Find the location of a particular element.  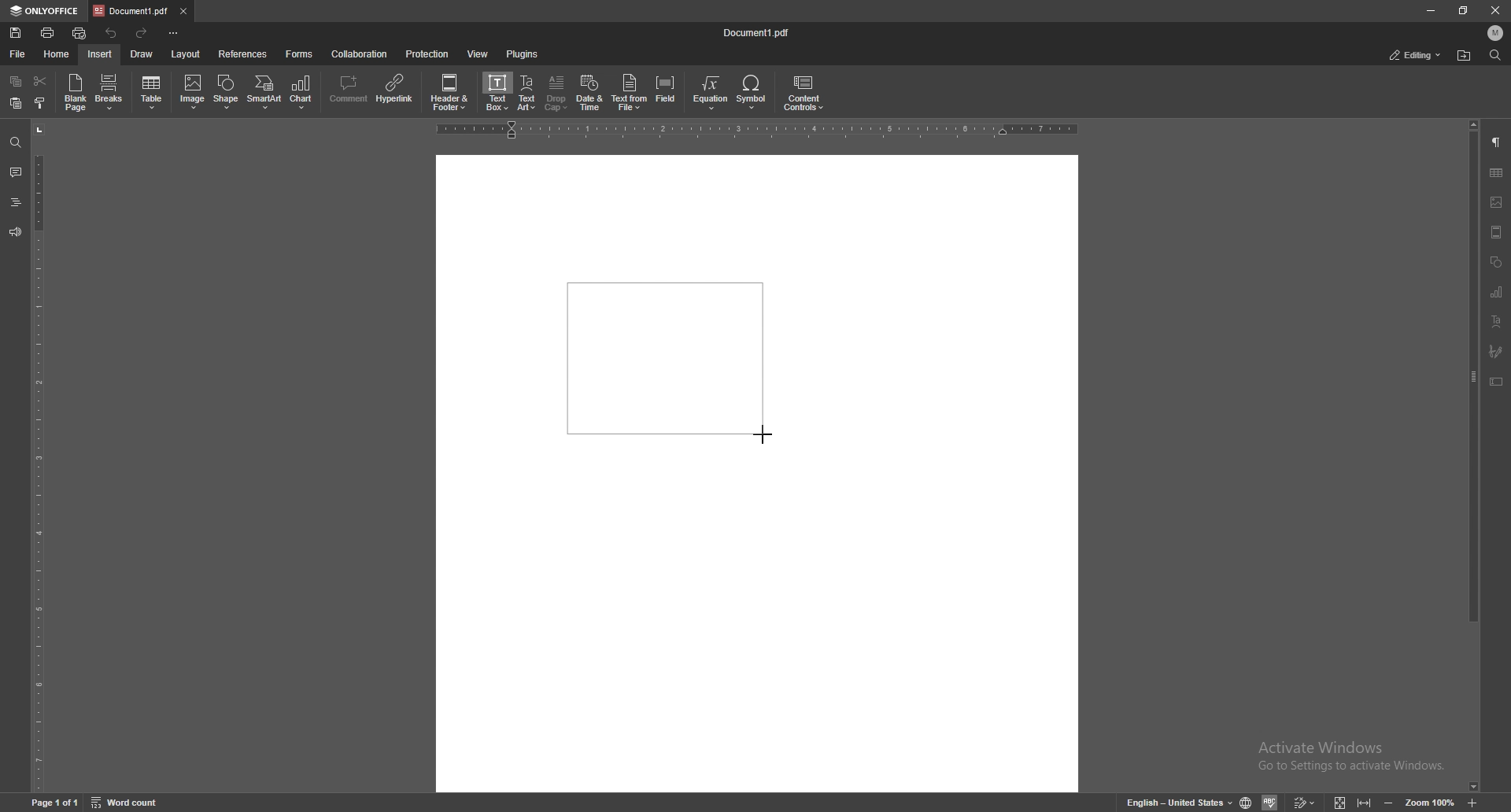

signature field is located at coordinates (1496, 350).